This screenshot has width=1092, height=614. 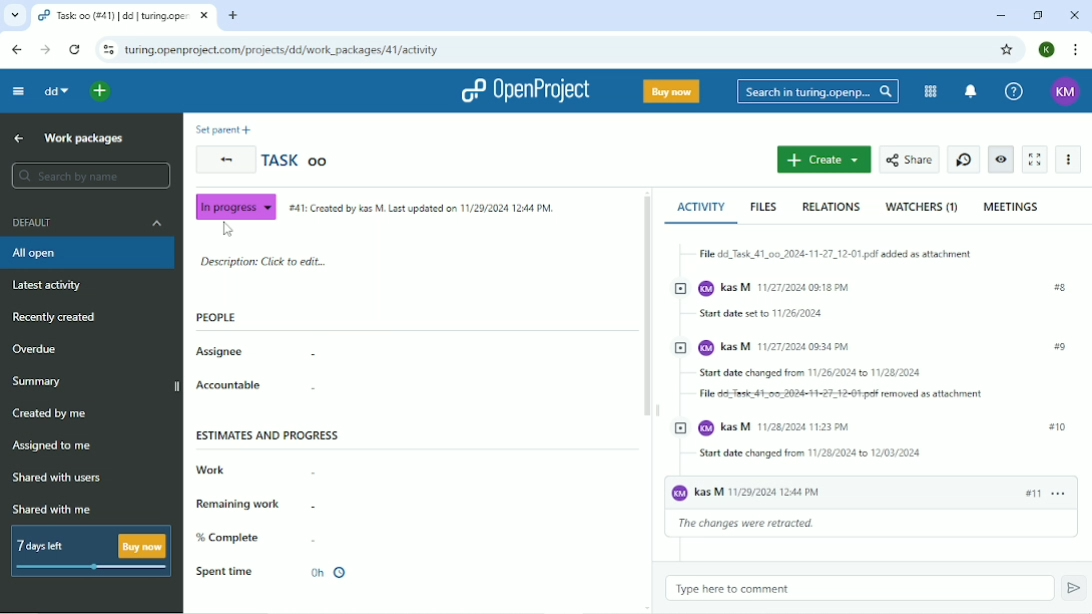 What do you see at coordinates (1002, 159) in the screenshot?
I see `Unwatch work progress` at bounding box center [1002, 159].